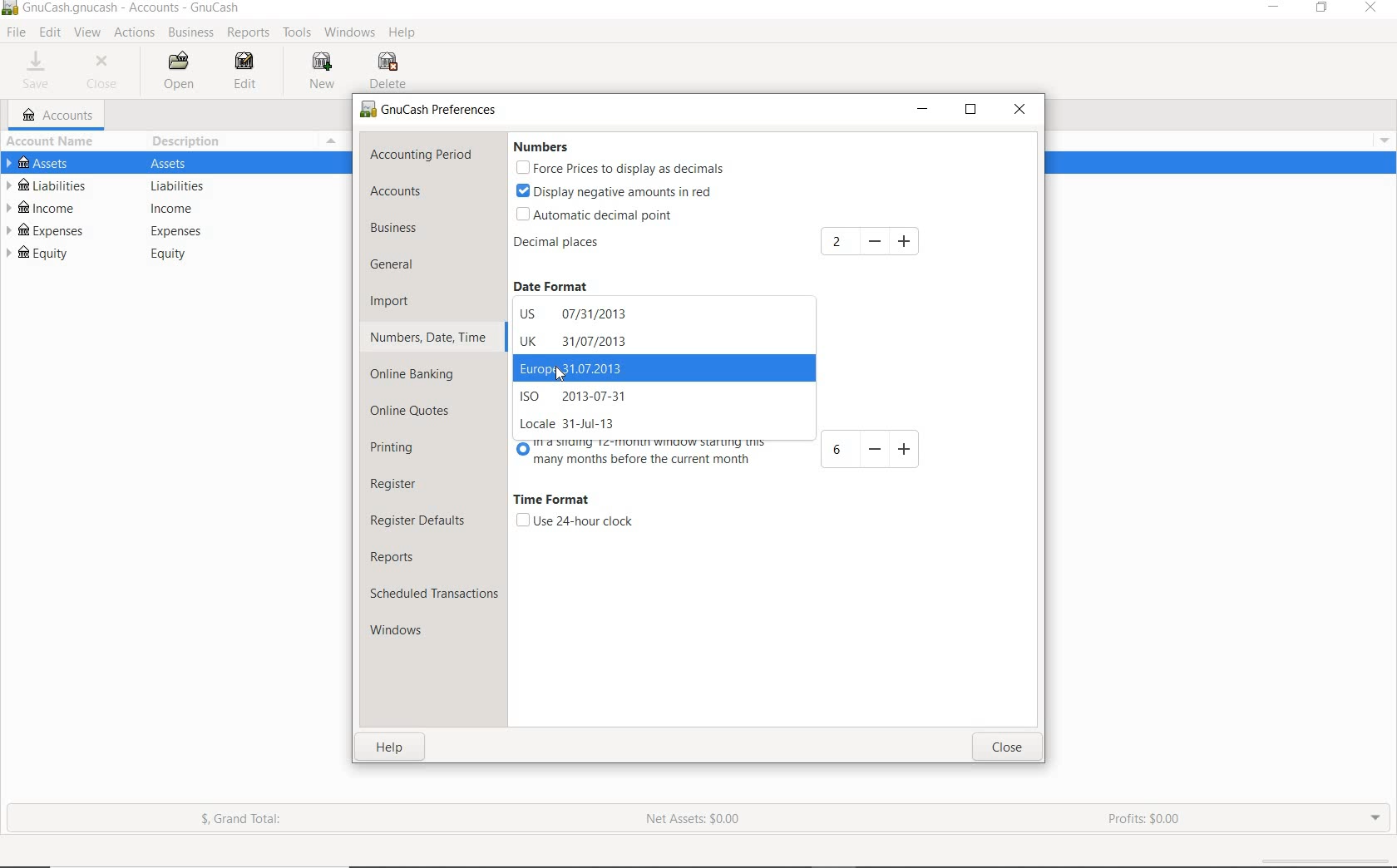  Describe the element at coordinates (574, 521) in the screenshot. I see `use 24-hour clock` at that location.